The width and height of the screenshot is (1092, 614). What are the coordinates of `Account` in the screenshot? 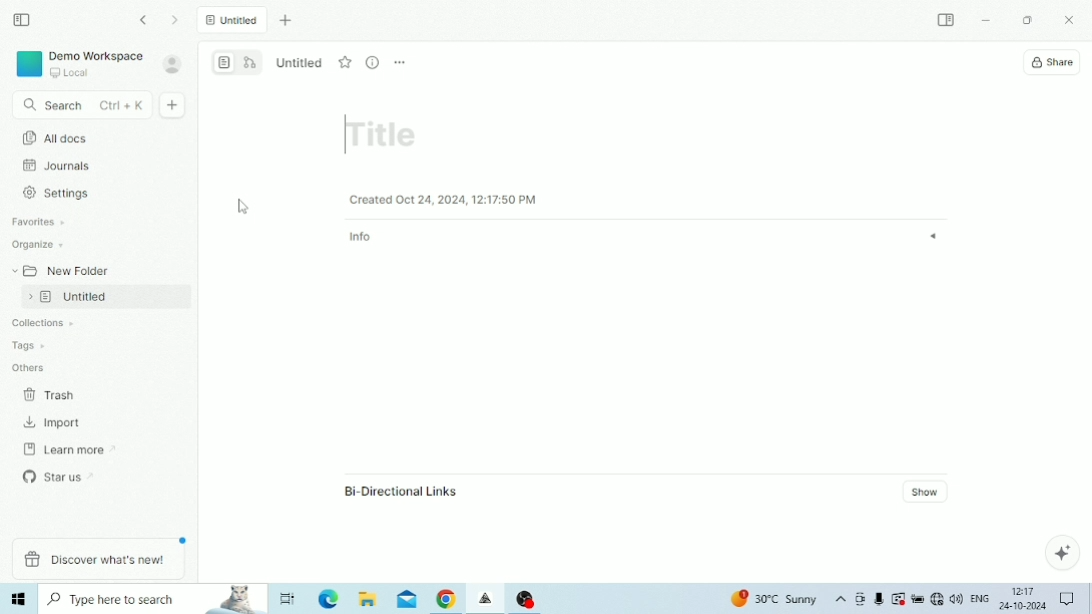 It's located at (173, 64).